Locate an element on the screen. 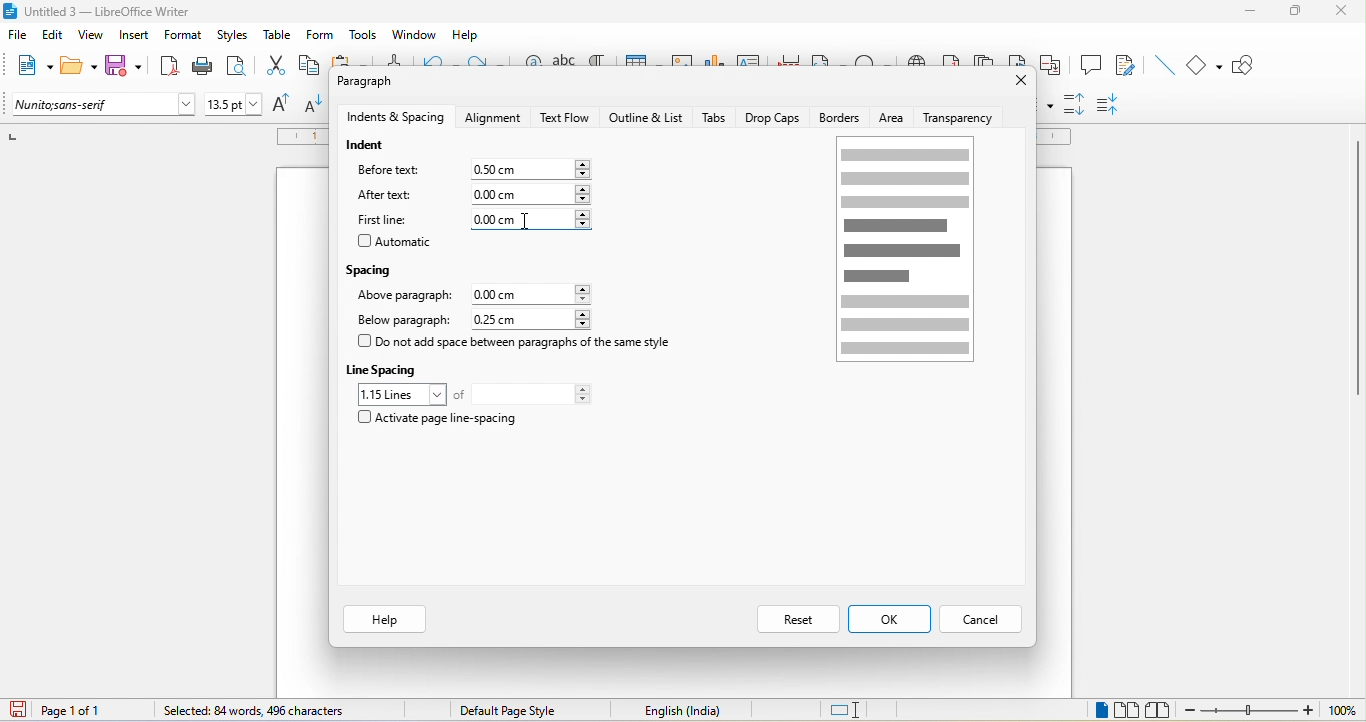 This screenshot has height=722, width=1366. 84 words, 496 characters is located at coordinates (251, 712).